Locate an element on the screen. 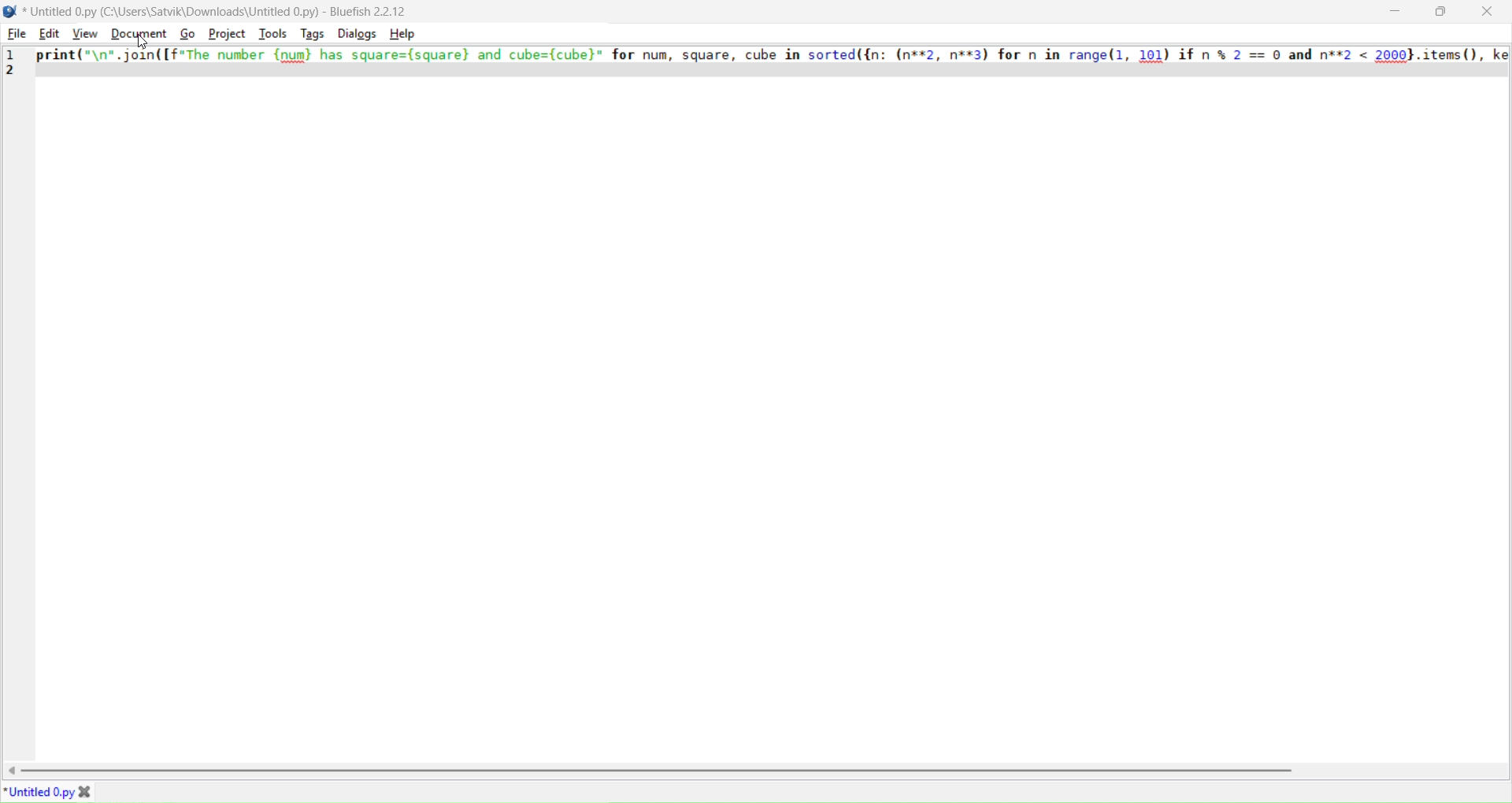 This screenshot has height=803, width=1512. maximize is located at coordinates (1440, 11).